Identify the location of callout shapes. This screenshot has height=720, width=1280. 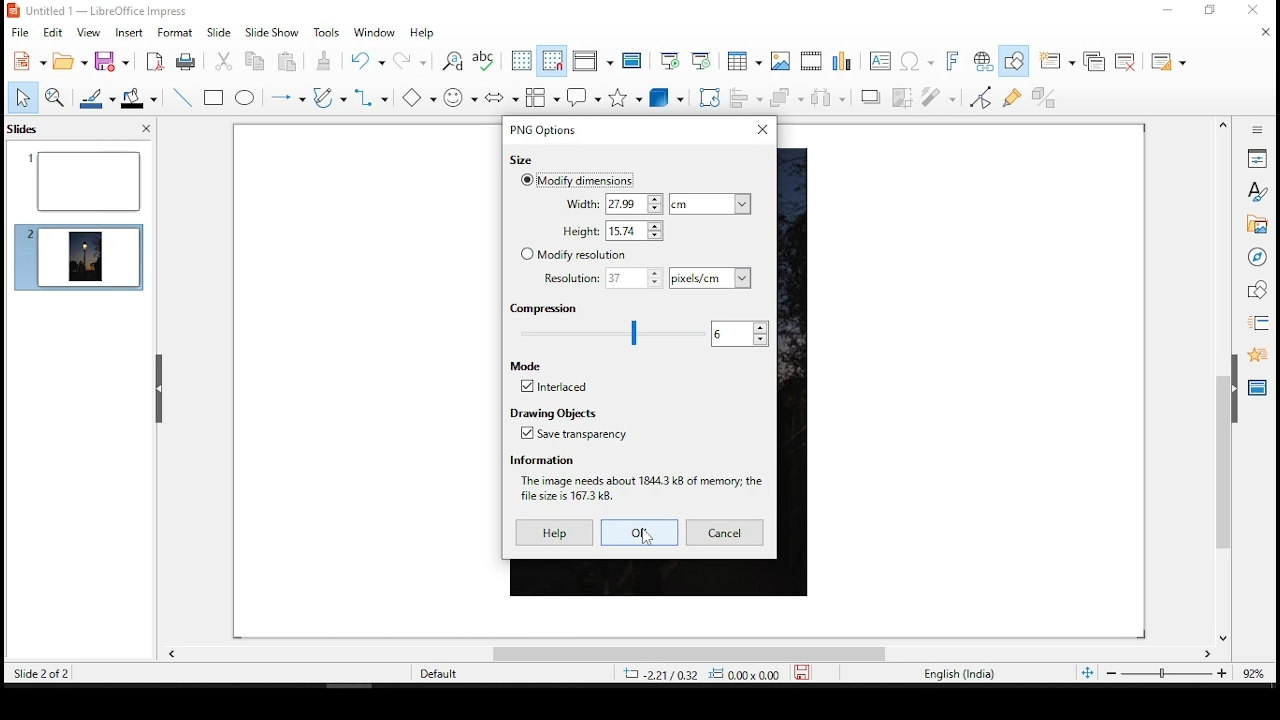
(583, 97).